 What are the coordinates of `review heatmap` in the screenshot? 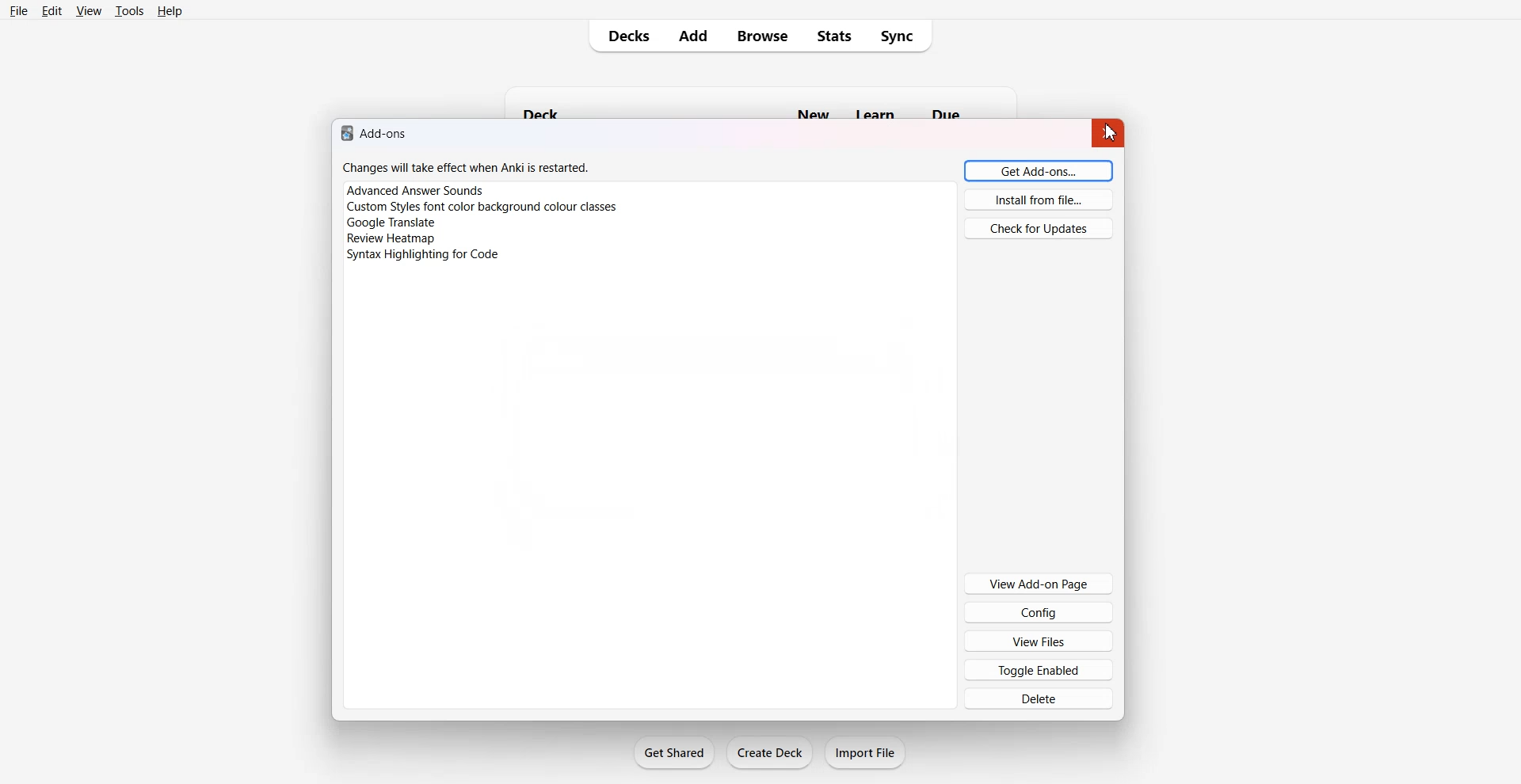 It's located at (390, 239).